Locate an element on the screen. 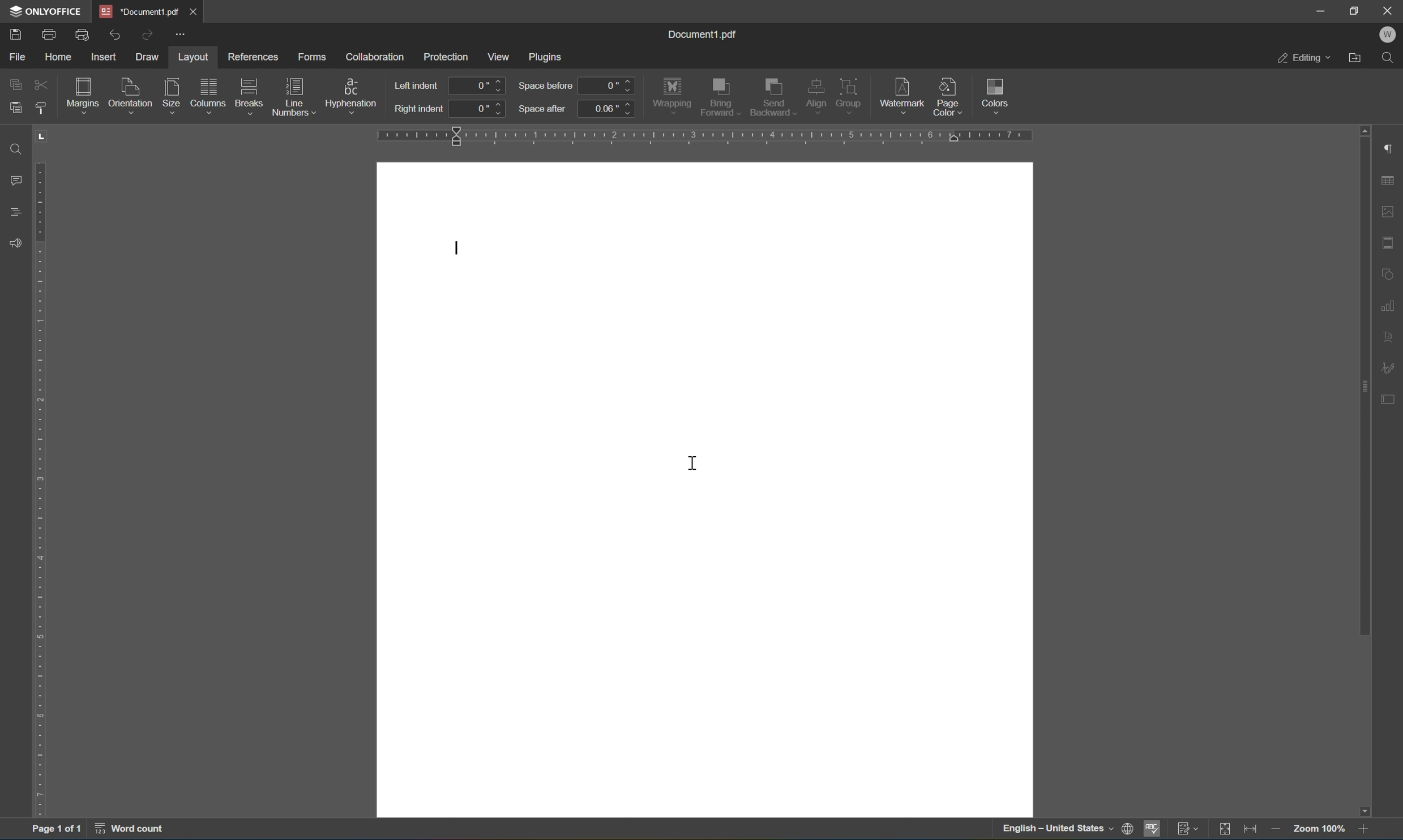  insert is located at coordinates (108, 58).